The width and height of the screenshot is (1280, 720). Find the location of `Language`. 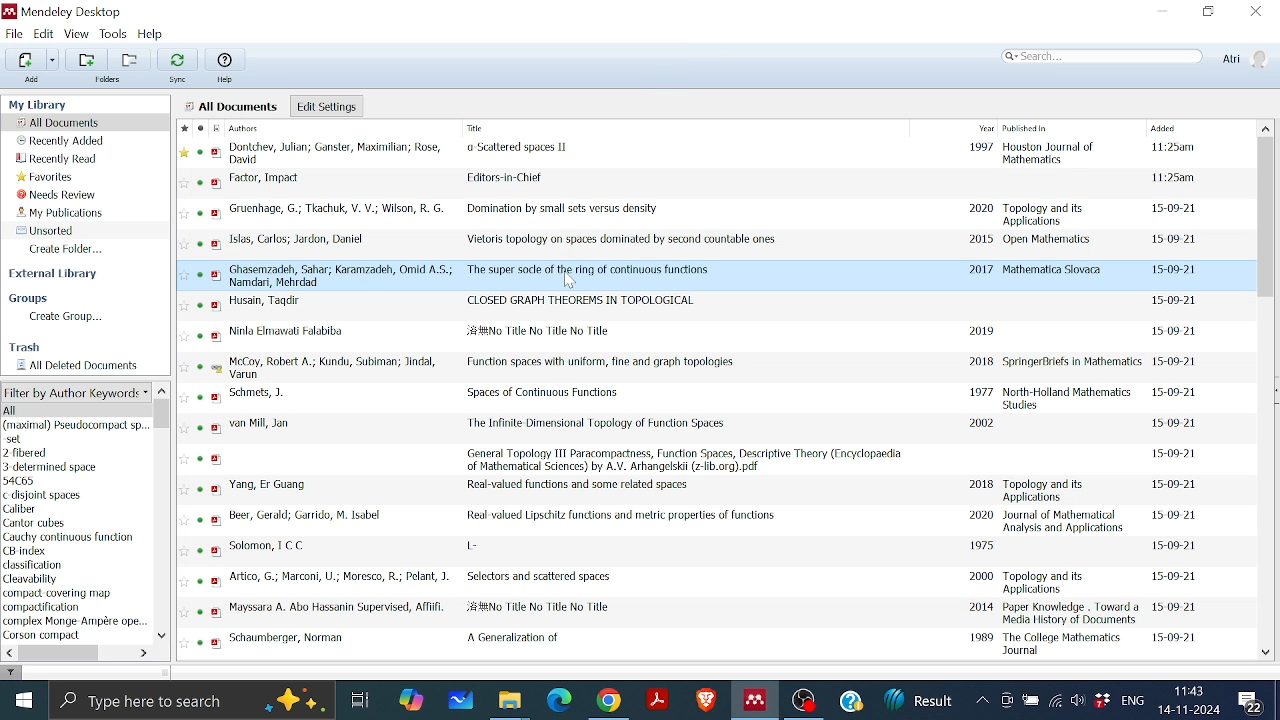

Language is located at coordinates (1134, 699).